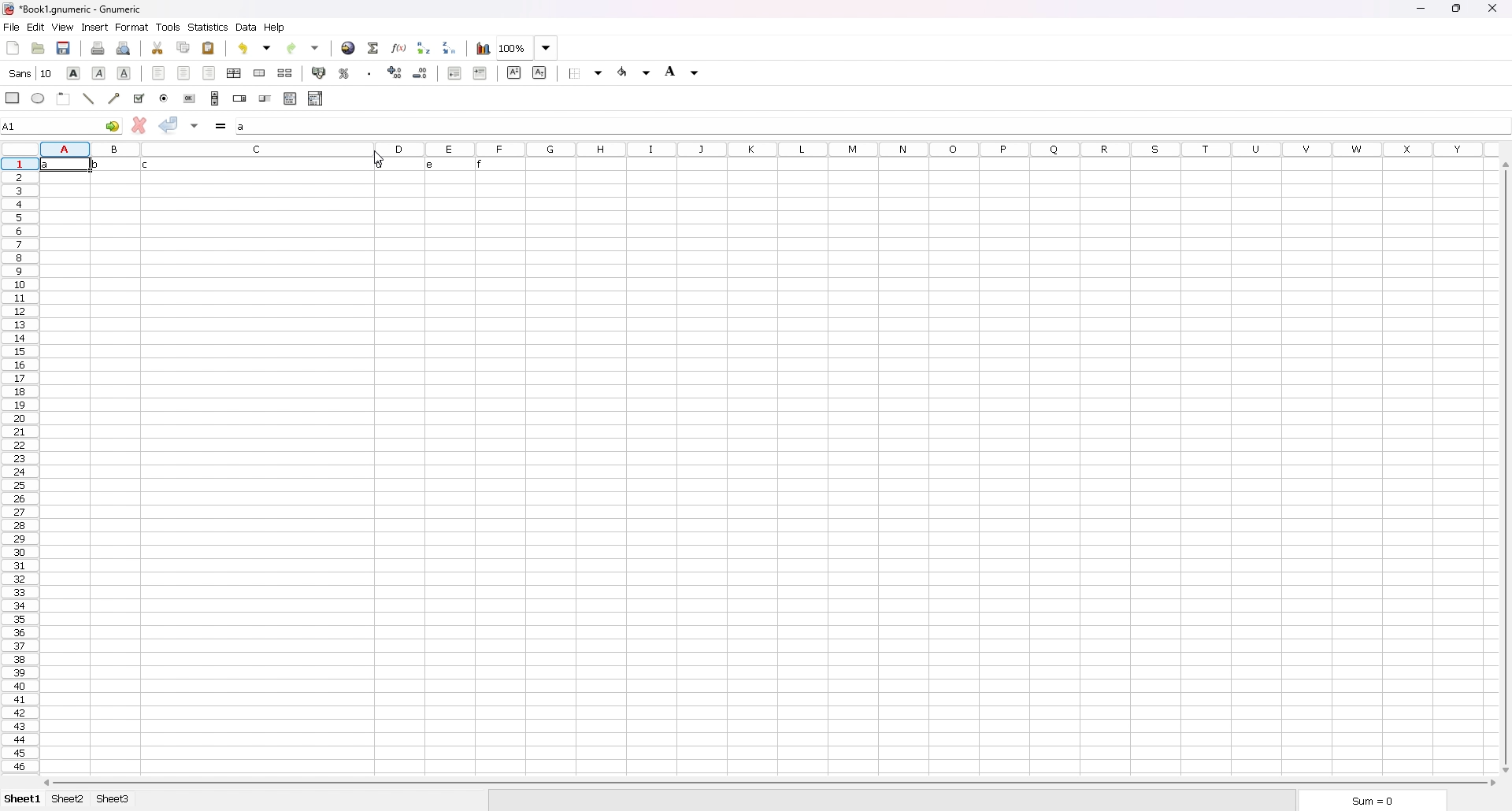  What do you see at coordinates (139, 98) in the screenshot?
I see `tickbox` at bounding box center [139, 98].